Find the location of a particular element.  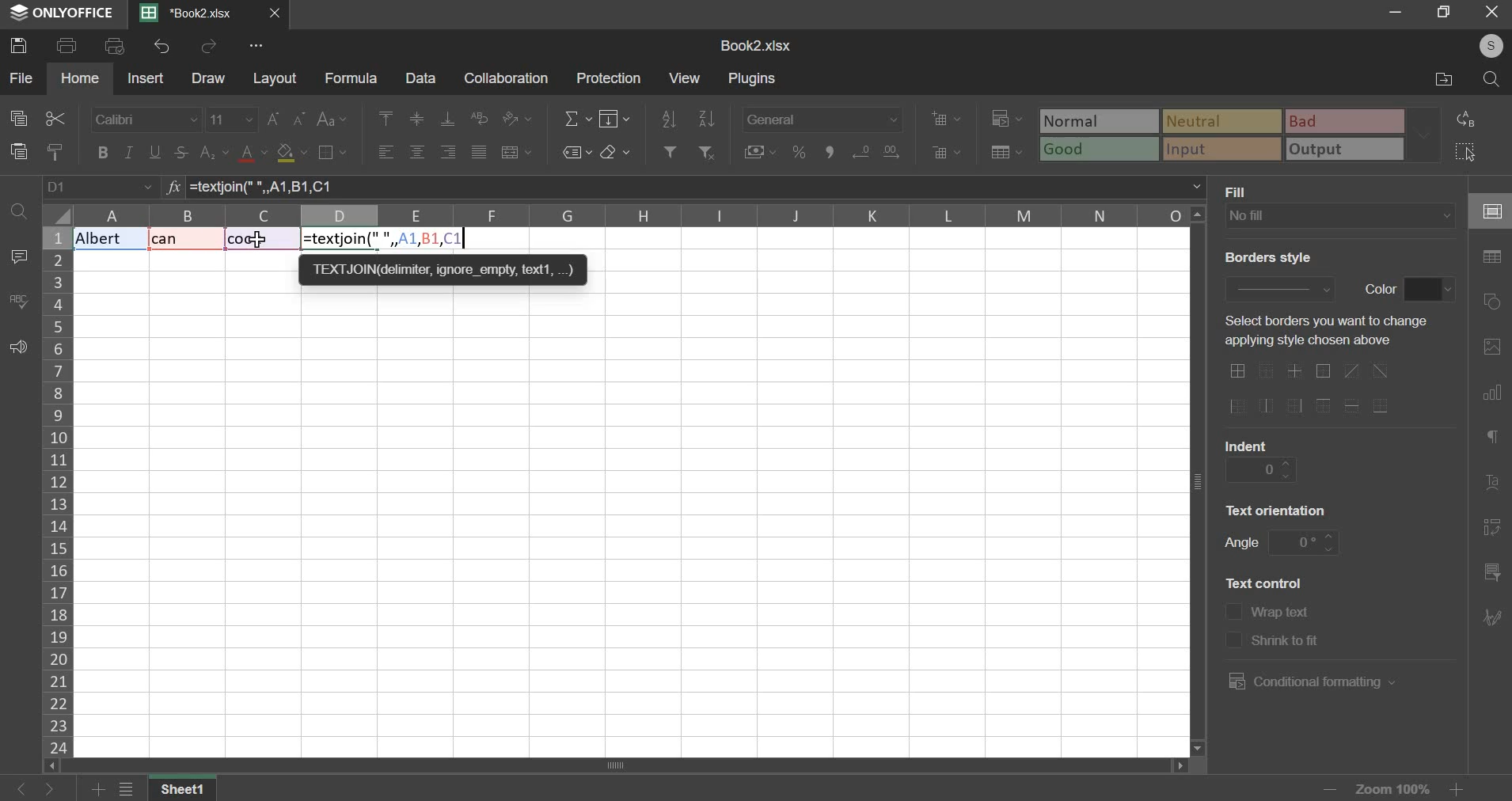

column is located at coordinates (56, 491).